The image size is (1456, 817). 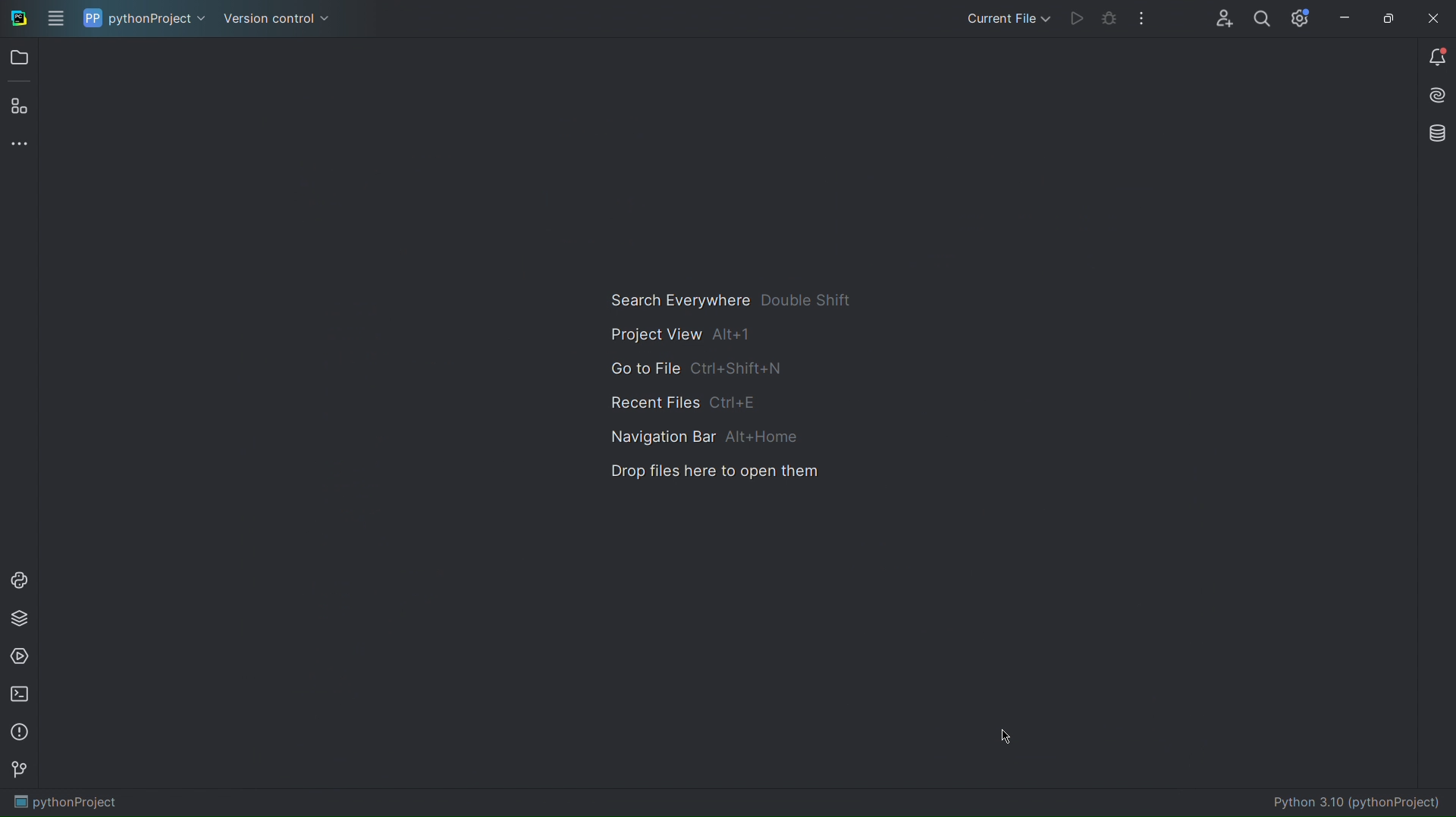 What do you see at coordinates (1000, 19) in the screenshot?
I see `Current File` at bounding box center [1000, 19].